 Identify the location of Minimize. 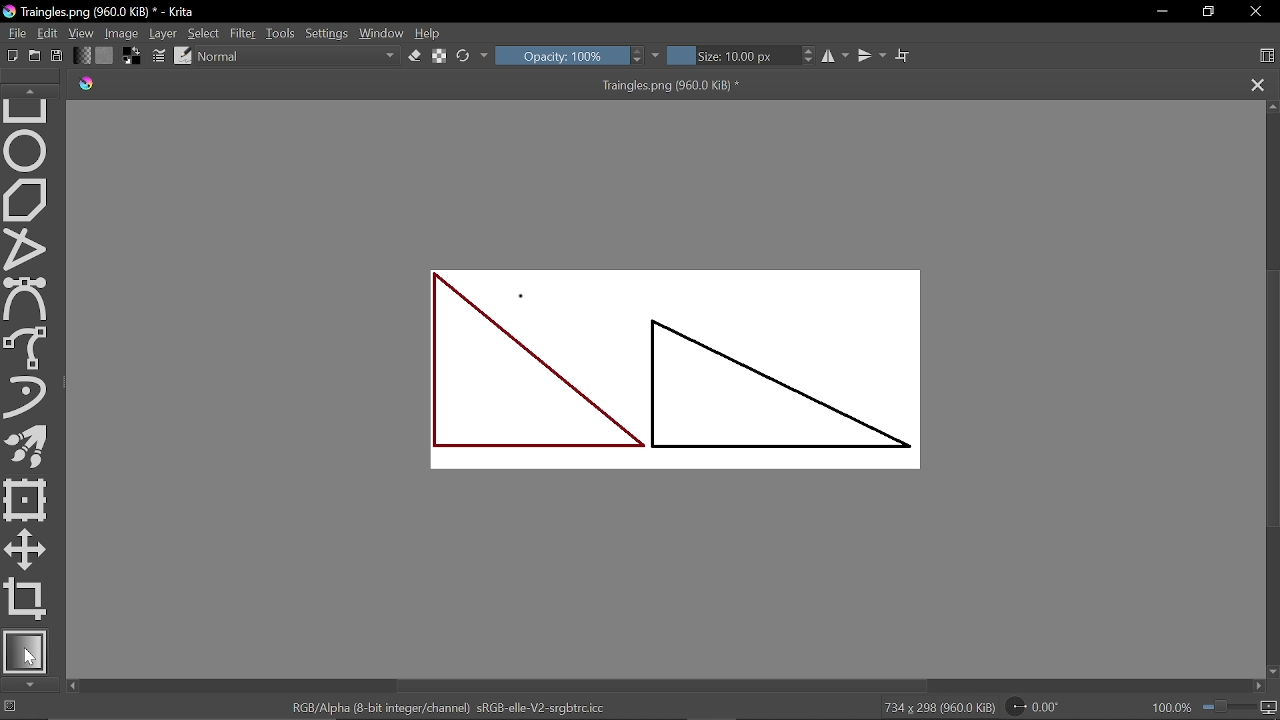
(1162, 13).